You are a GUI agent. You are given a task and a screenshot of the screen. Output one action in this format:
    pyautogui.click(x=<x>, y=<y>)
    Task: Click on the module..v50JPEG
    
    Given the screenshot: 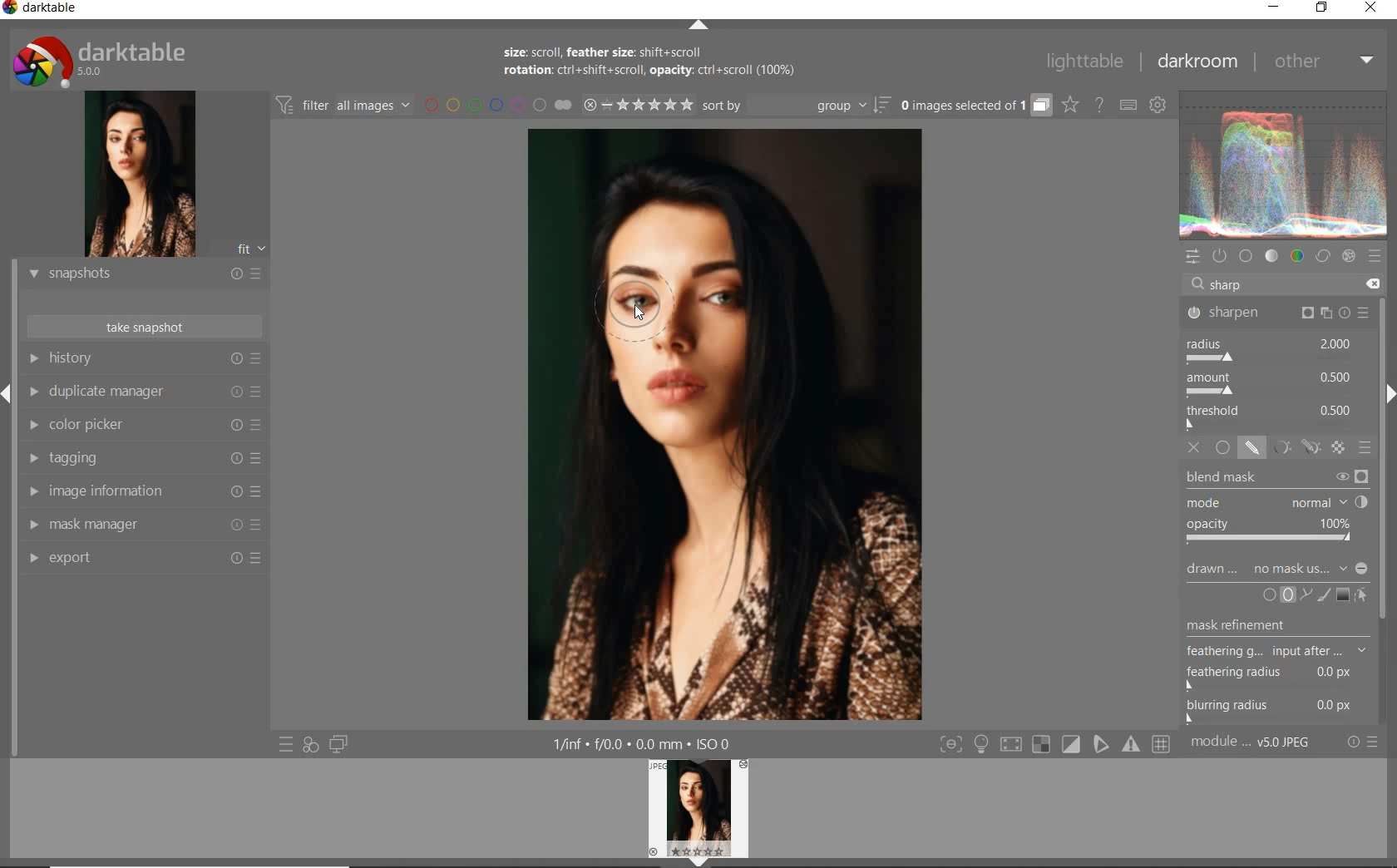 What is the action you would take?
    pyautogui.click(x=1251, y=741)
    